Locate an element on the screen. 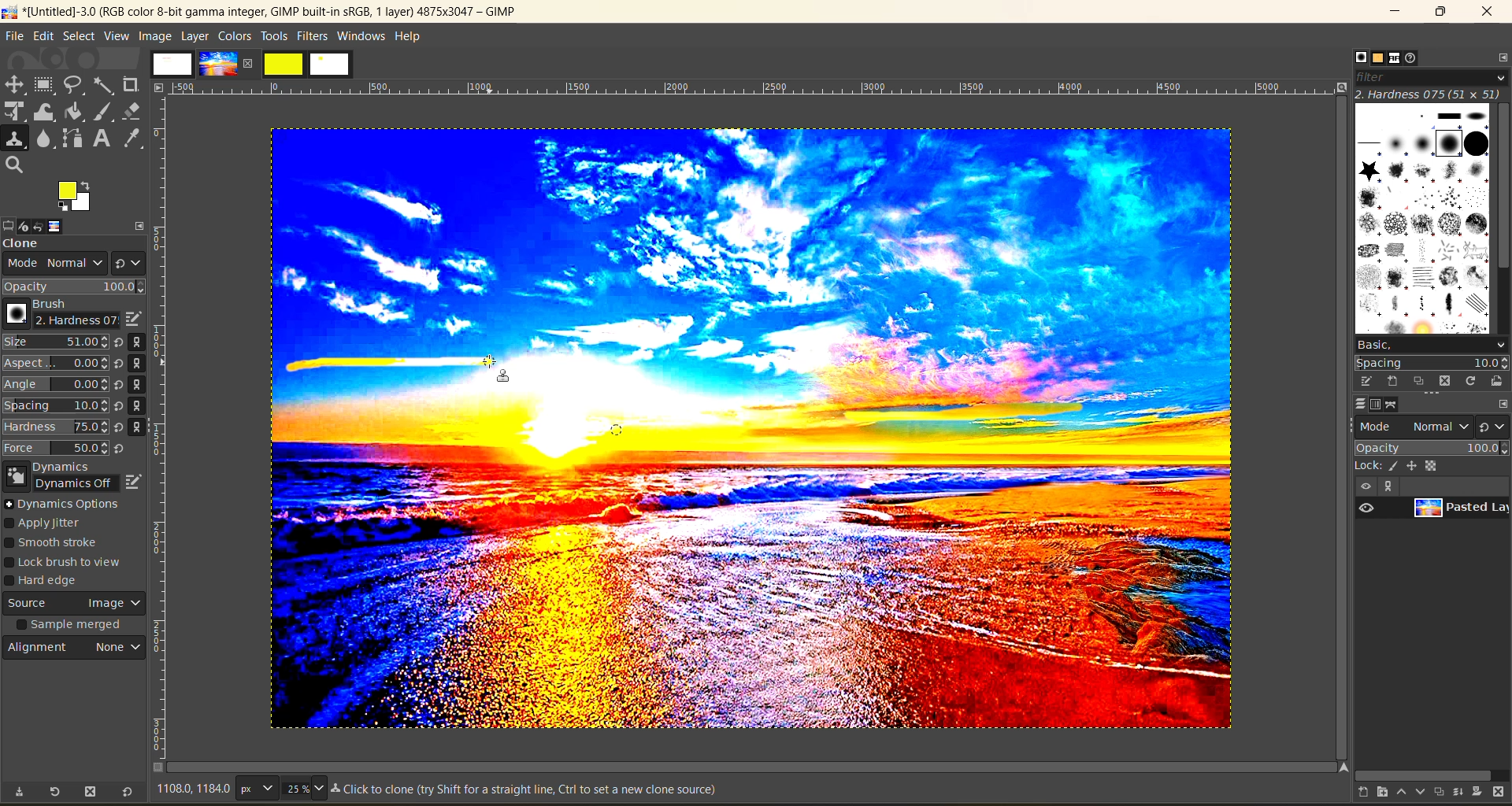 This screenshot has width=1512, height=806. layers is located at coordinates (1355, 404).